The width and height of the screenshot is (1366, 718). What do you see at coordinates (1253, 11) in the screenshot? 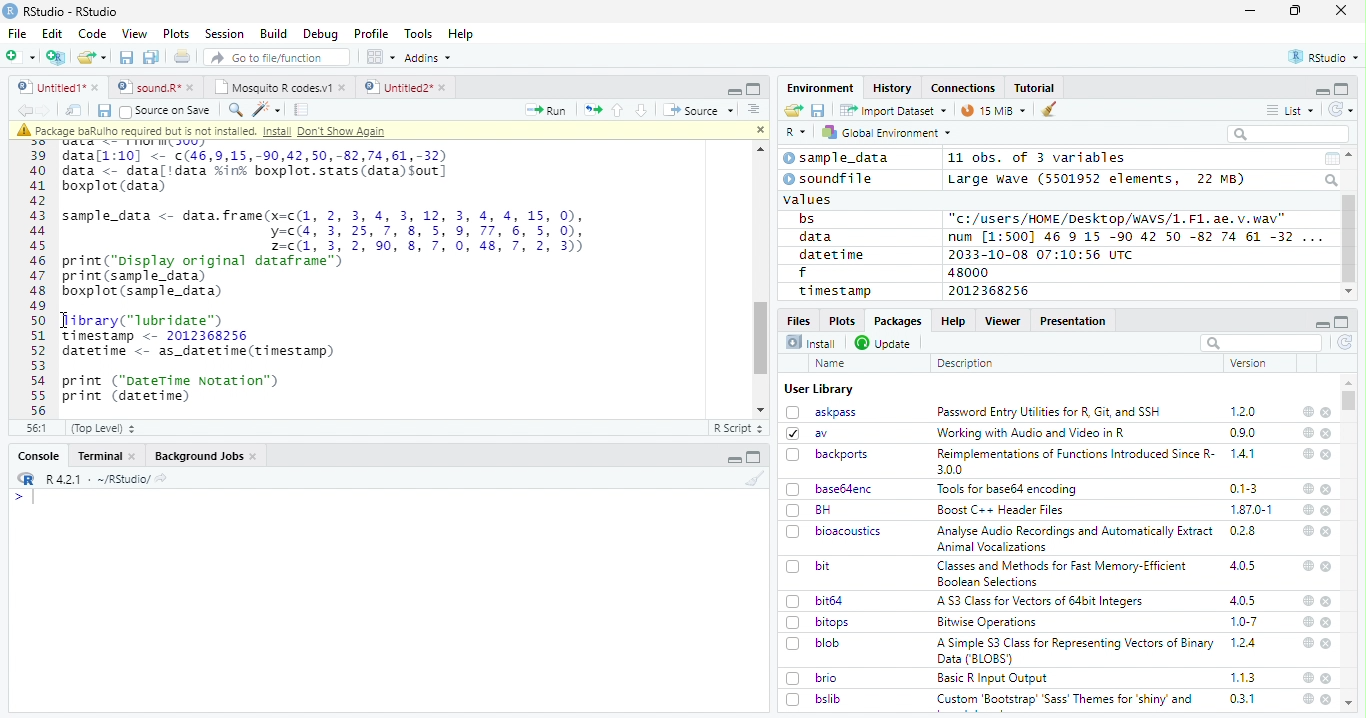
I see `minimize` at bounding box center [1253, 11].